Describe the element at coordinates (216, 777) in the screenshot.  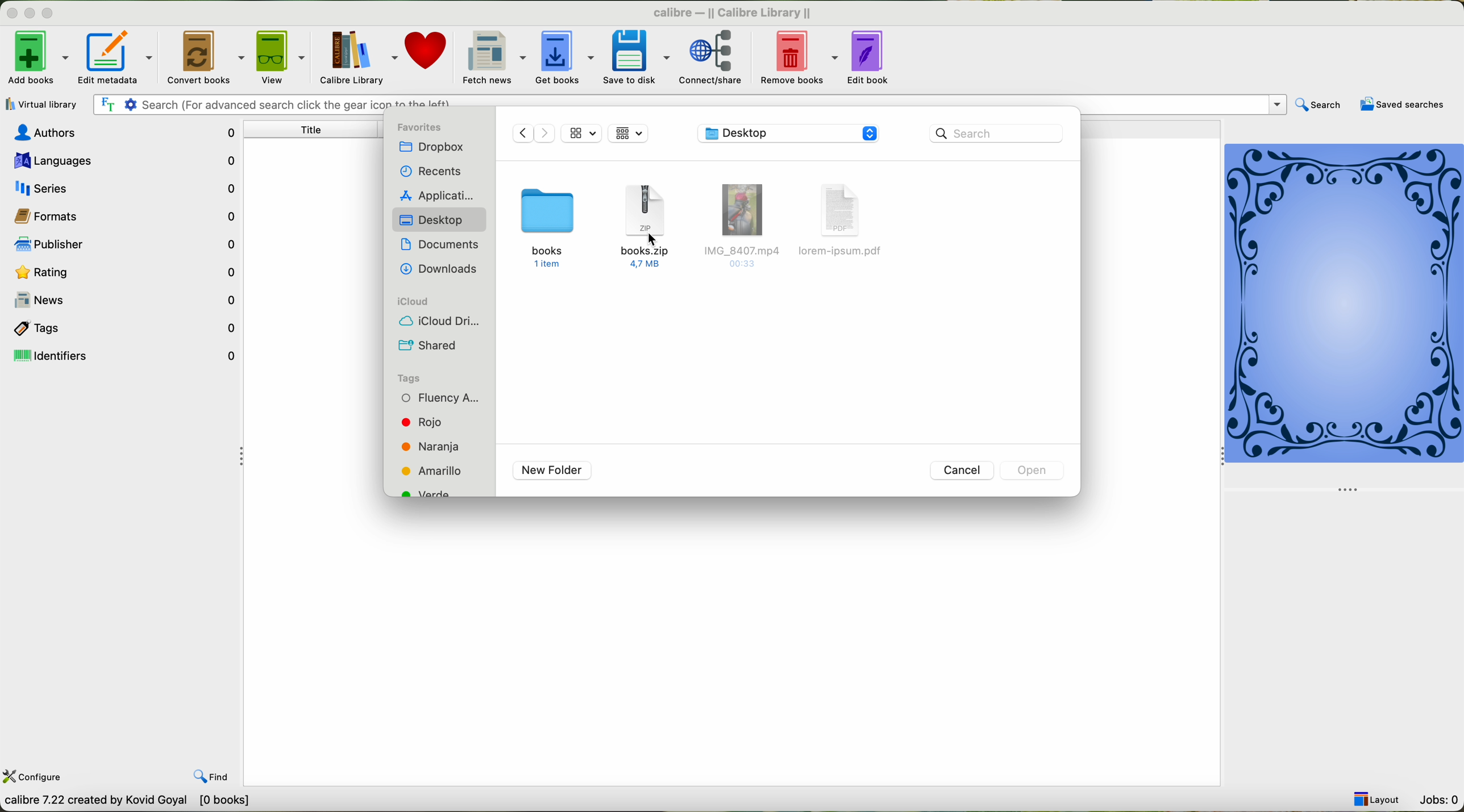
I see `find` at that location.